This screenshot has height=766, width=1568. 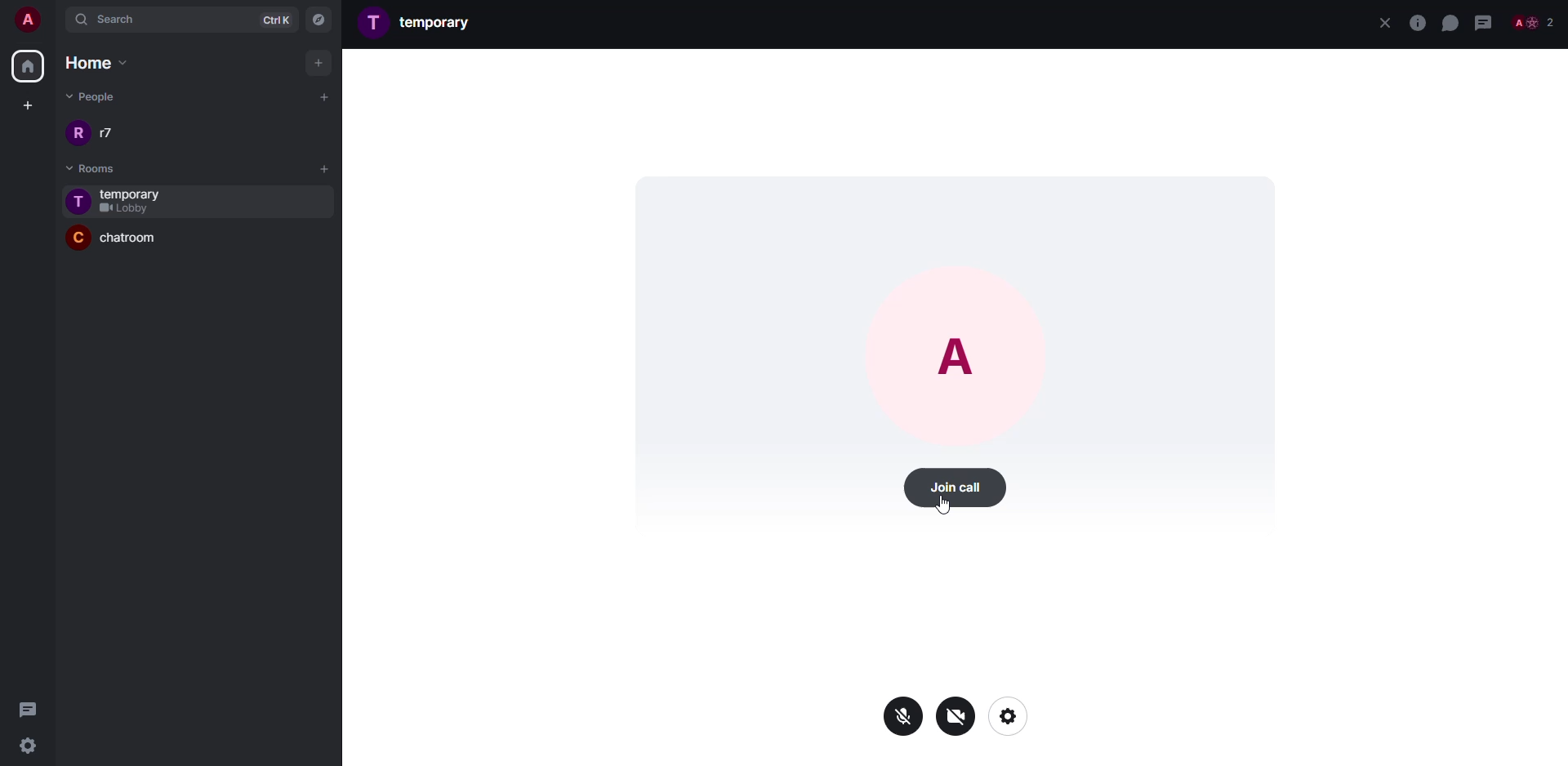 I want to click on account, so click(x=29, y=22).